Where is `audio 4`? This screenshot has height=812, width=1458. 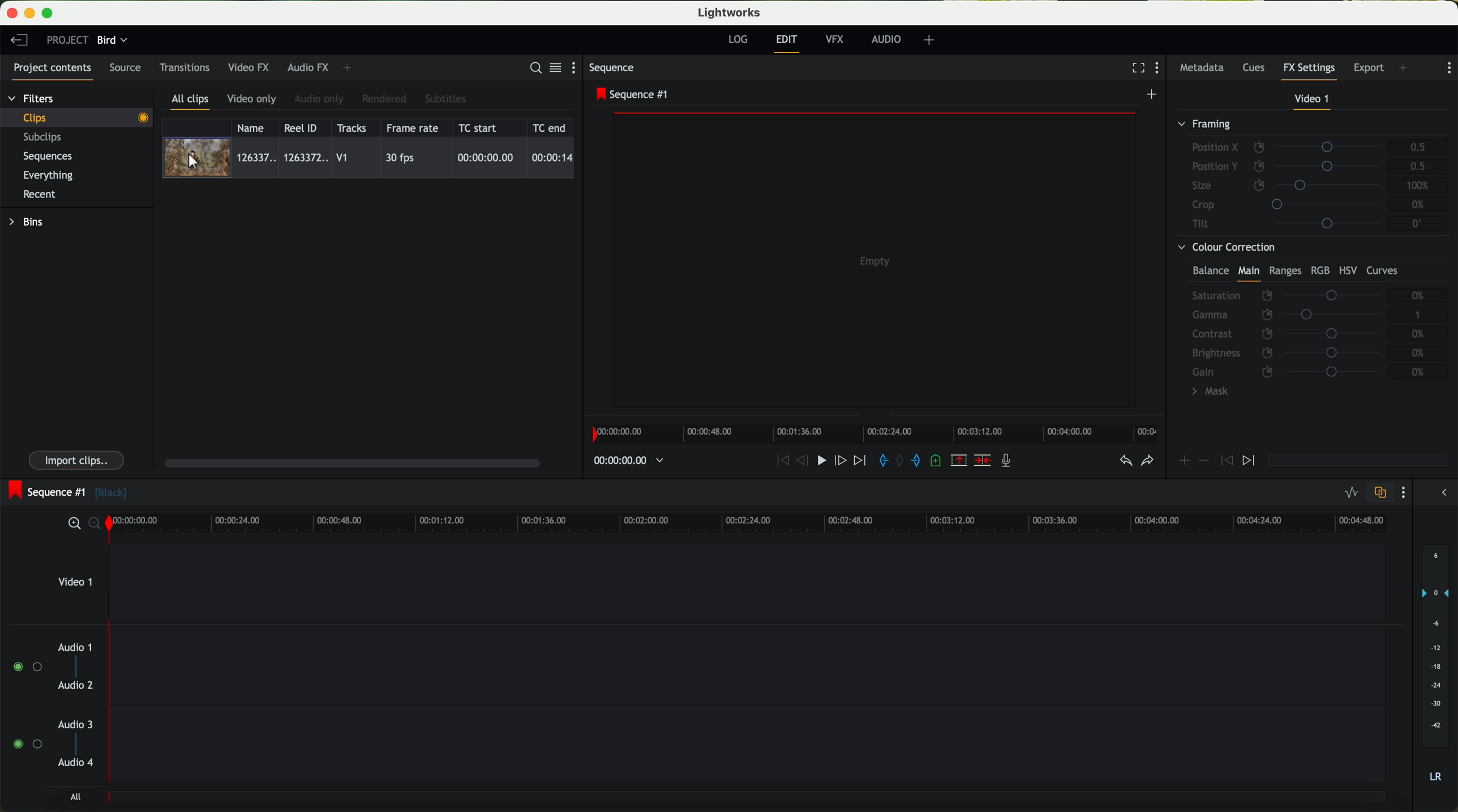
audio 4 is located at coordinates (76, 763).